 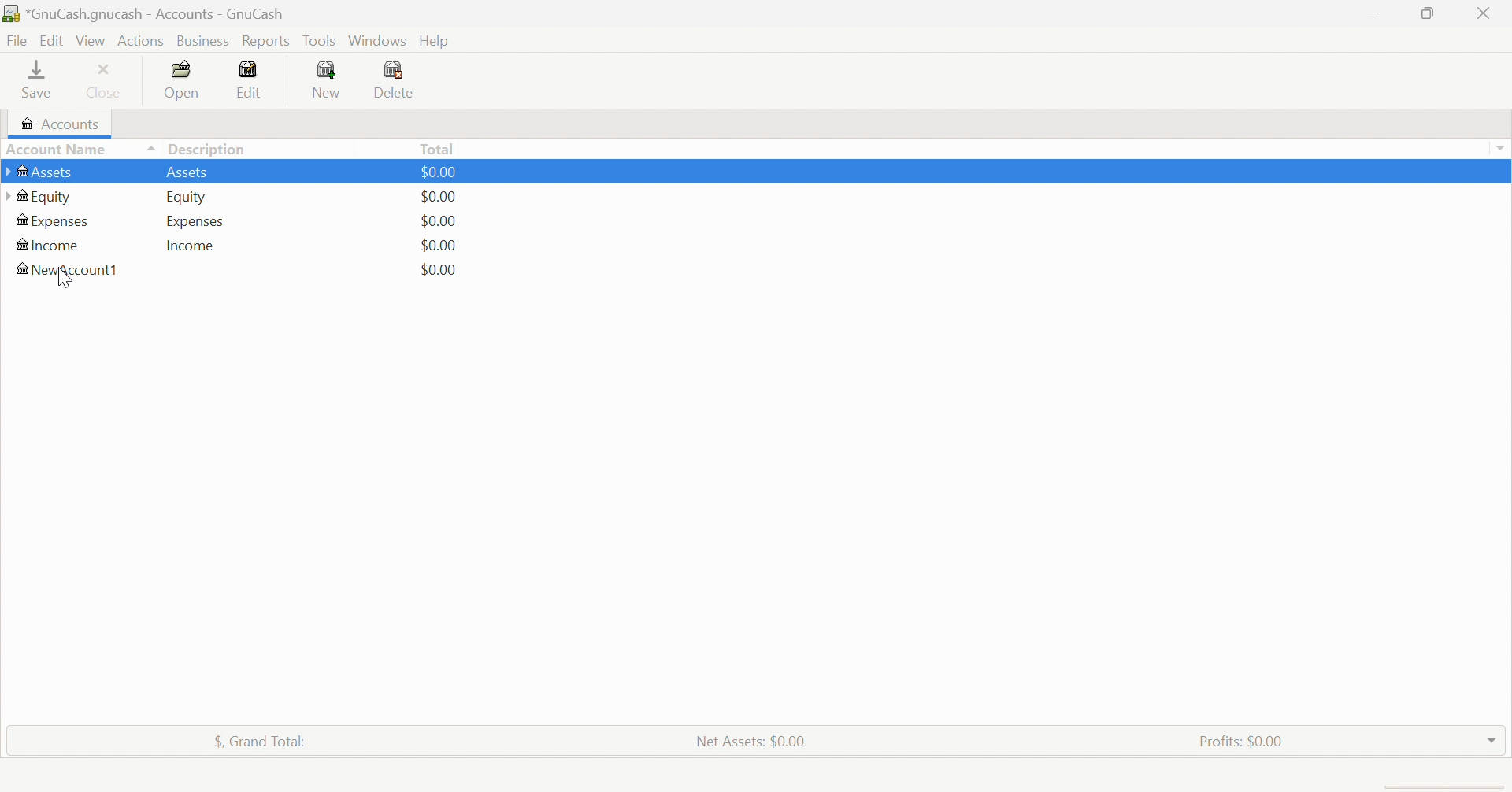 I want to click on Close, so click(x=1486, y=13).